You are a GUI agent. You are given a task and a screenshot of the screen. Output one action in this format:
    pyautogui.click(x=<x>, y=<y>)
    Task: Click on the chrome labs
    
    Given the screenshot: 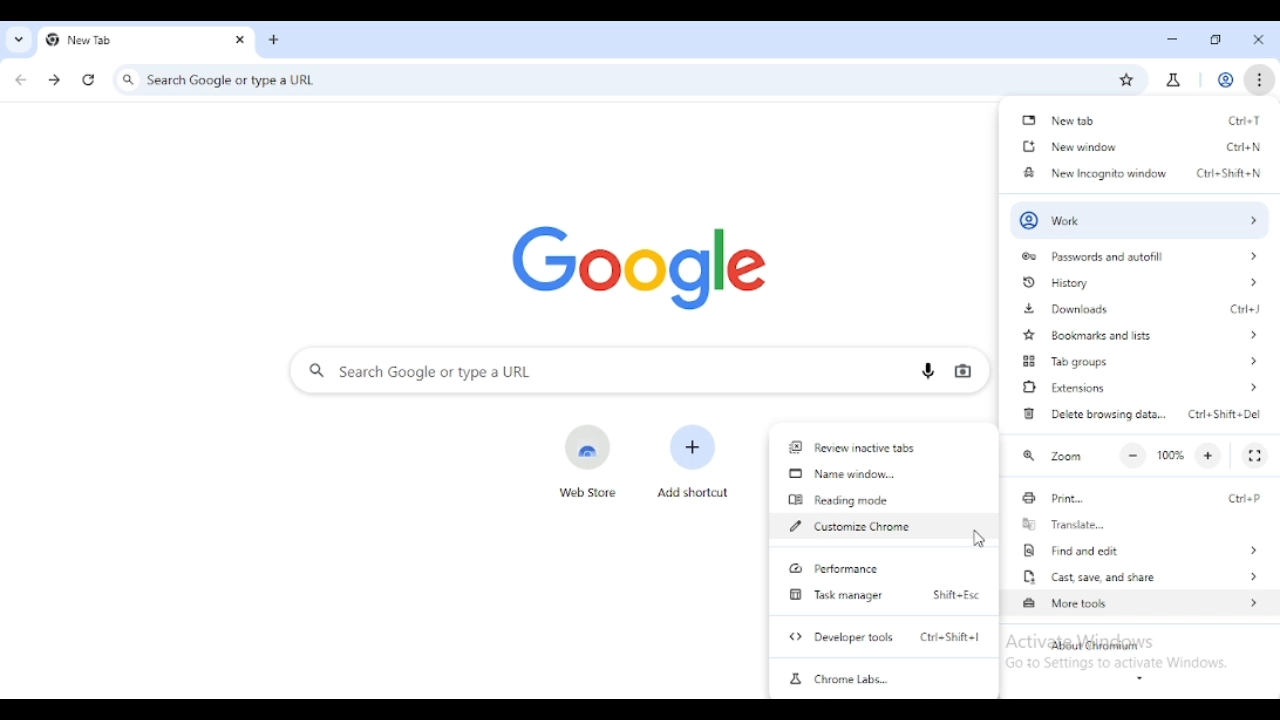 What is the action you would take?
    pyautogui.click(x=838, y=679)
    